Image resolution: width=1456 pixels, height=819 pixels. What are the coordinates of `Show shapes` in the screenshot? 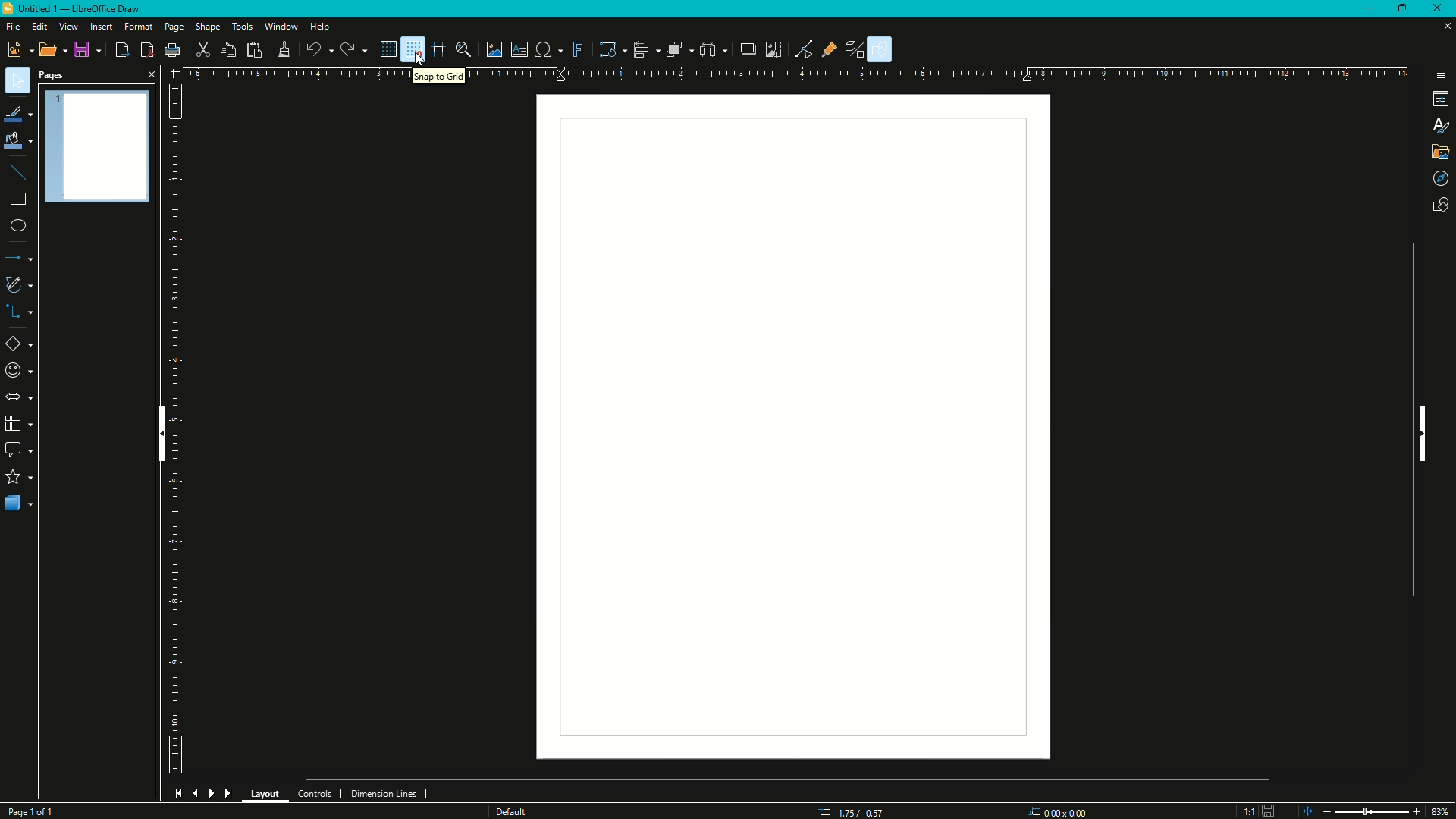 It's located at (1439, 204).